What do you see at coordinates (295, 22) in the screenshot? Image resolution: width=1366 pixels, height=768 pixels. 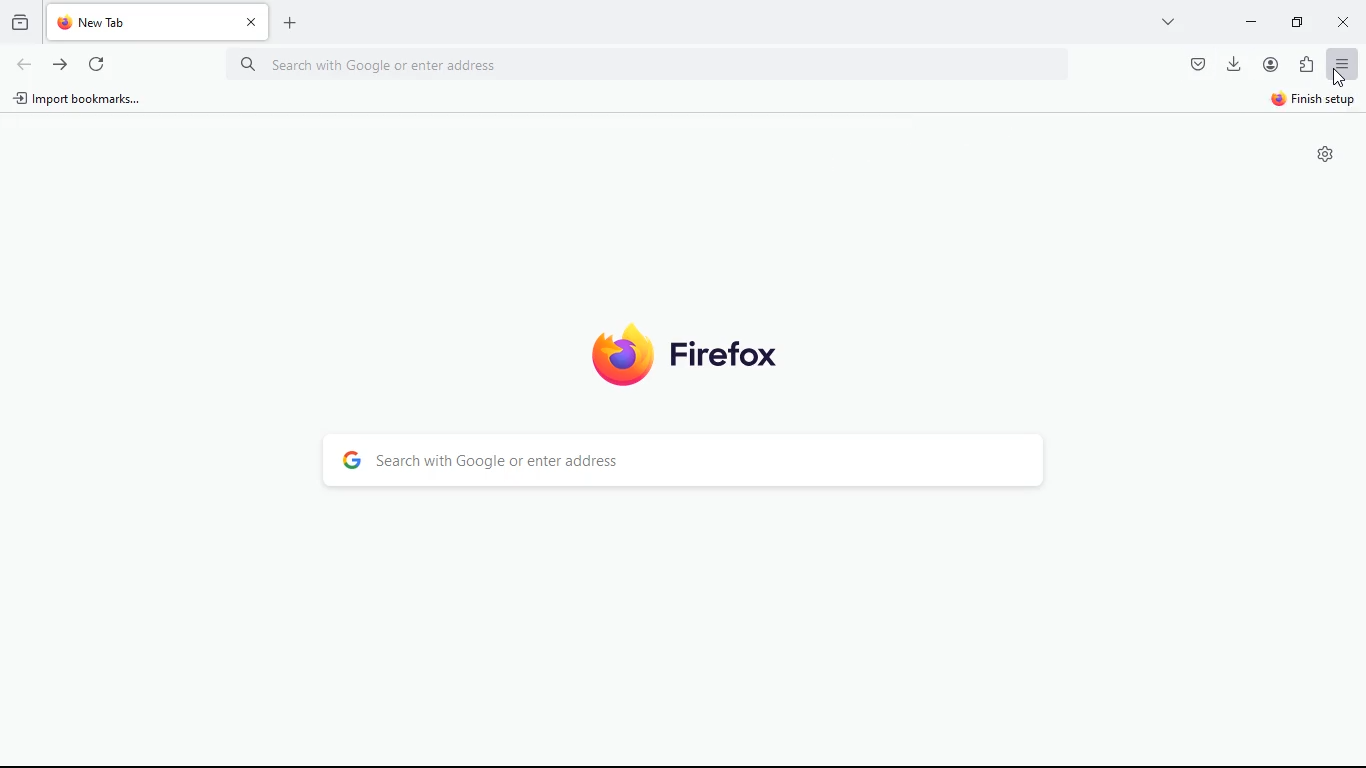 I see `add tab` at bounding box center [295, 22].